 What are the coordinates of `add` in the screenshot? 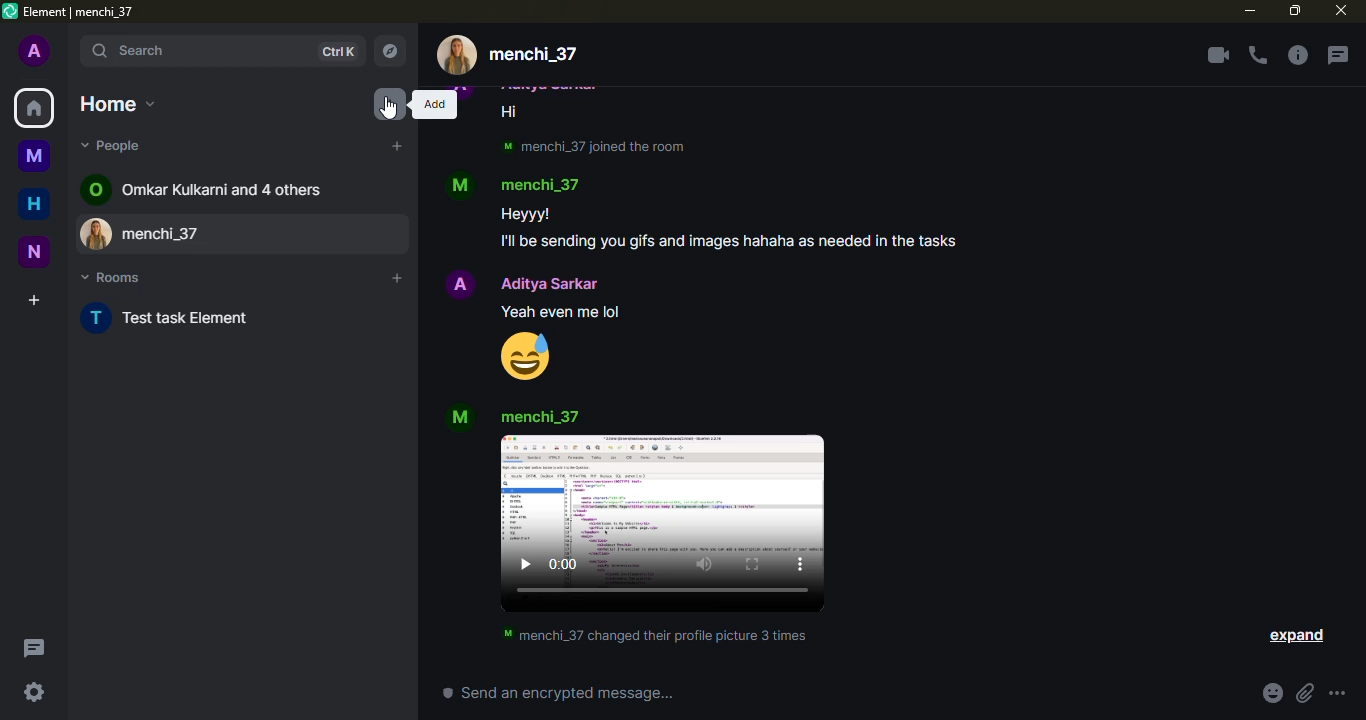 It's located at (397, 146).